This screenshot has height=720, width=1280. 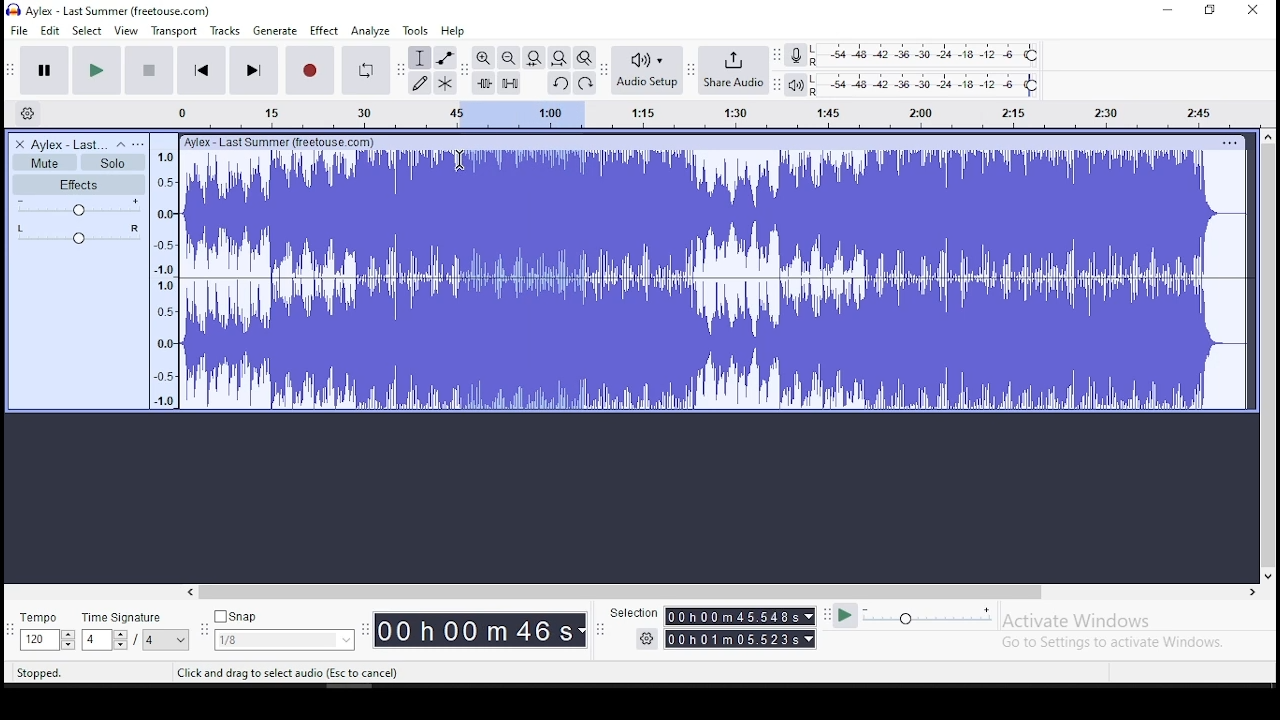 I want to click on timeline settings, so click(x=28, y=112).